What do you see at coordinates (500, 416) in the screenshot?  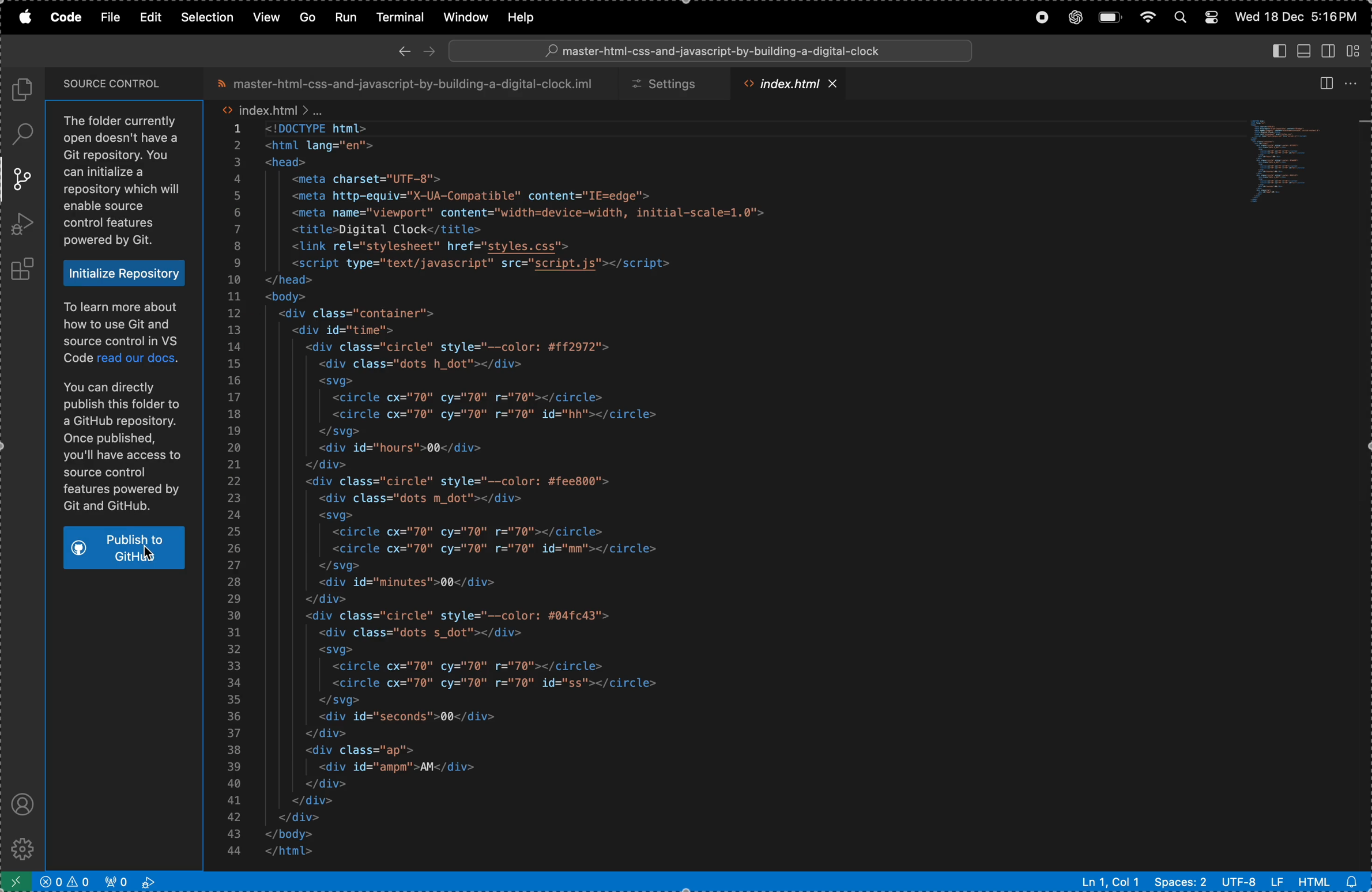 I see `<circle cx="70" cy="70" r="70" id="hh"></circle>` at bounding box center [500, 416].